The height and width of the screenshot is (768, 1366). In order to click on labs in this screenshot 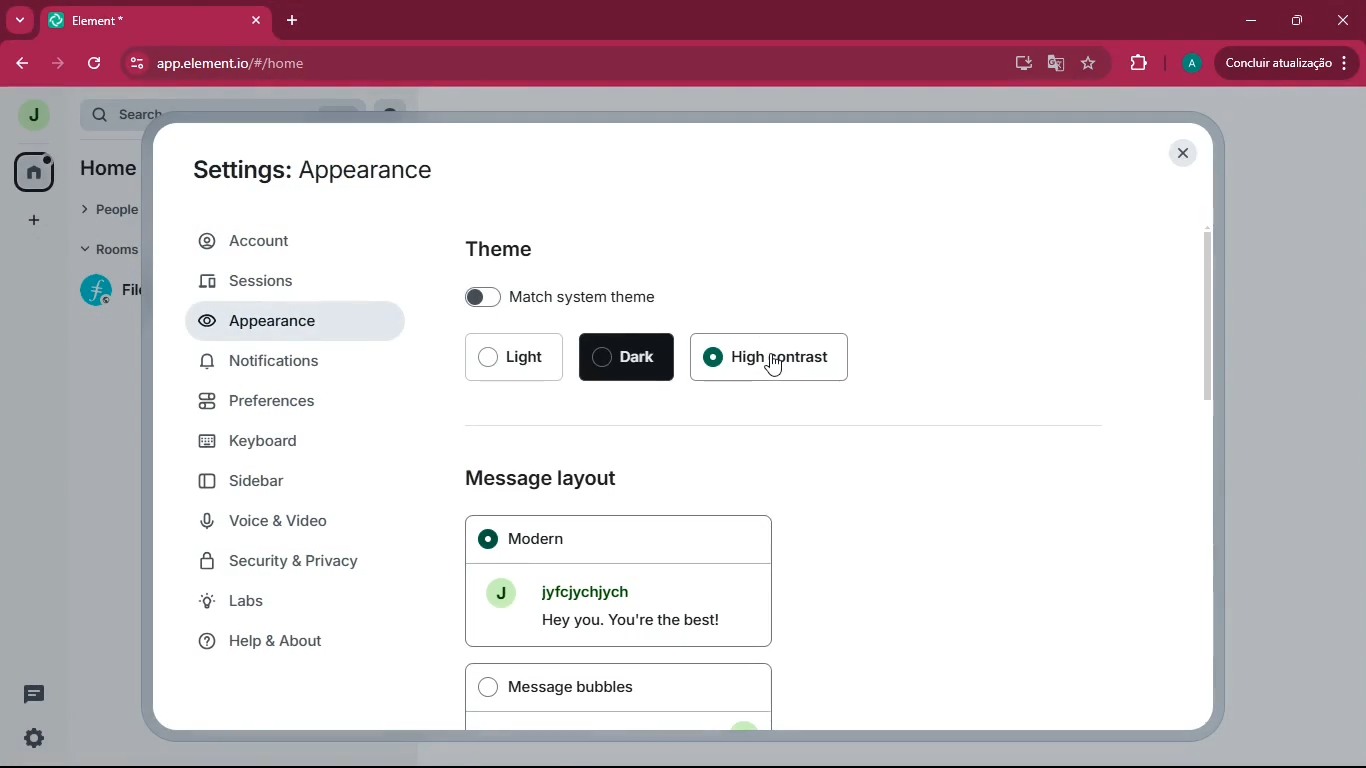, I will do `click(289, 602)`.